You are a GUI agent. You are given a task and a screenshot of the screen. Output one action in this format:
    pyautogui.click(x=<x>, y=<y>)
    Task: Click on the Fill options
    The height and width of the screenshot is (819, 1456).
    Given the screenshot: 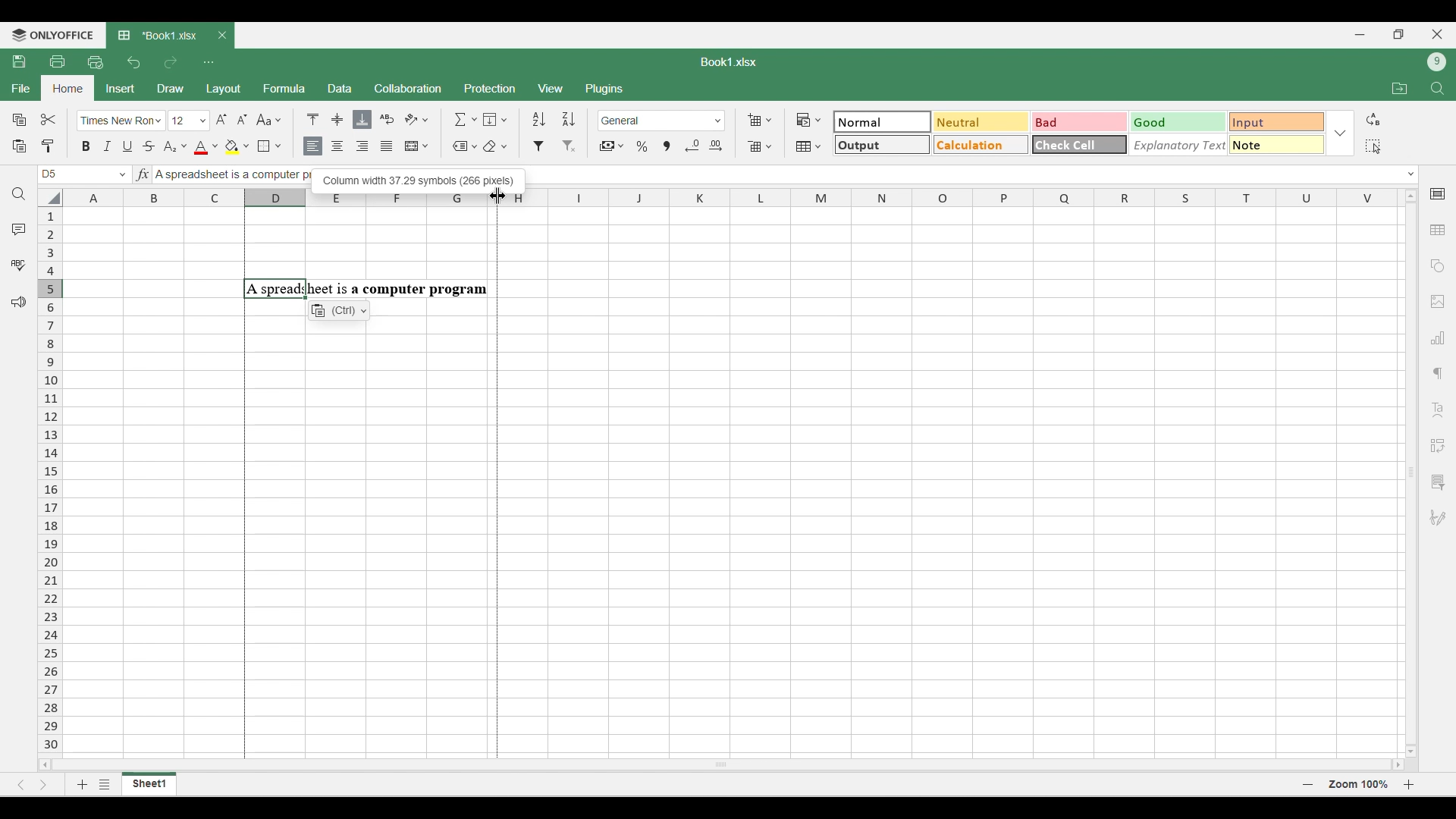 What is the action you would take?
    pyautogui.click(x=495, y=119)
    